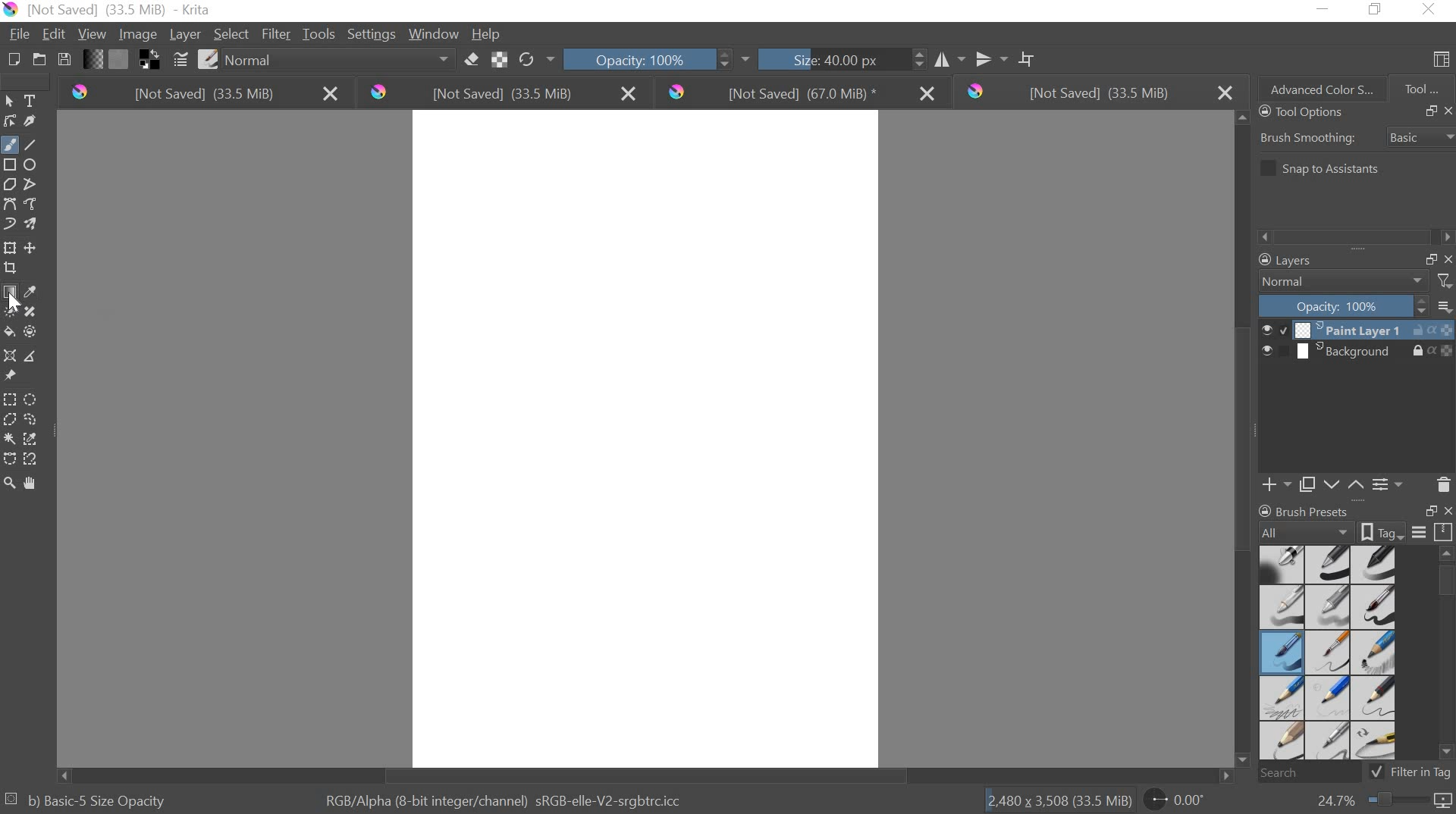  What do you see at coordinates (1447, 658) in the screenshot?
I see `SCROLLBAR` at bounding box center [1447, 658].